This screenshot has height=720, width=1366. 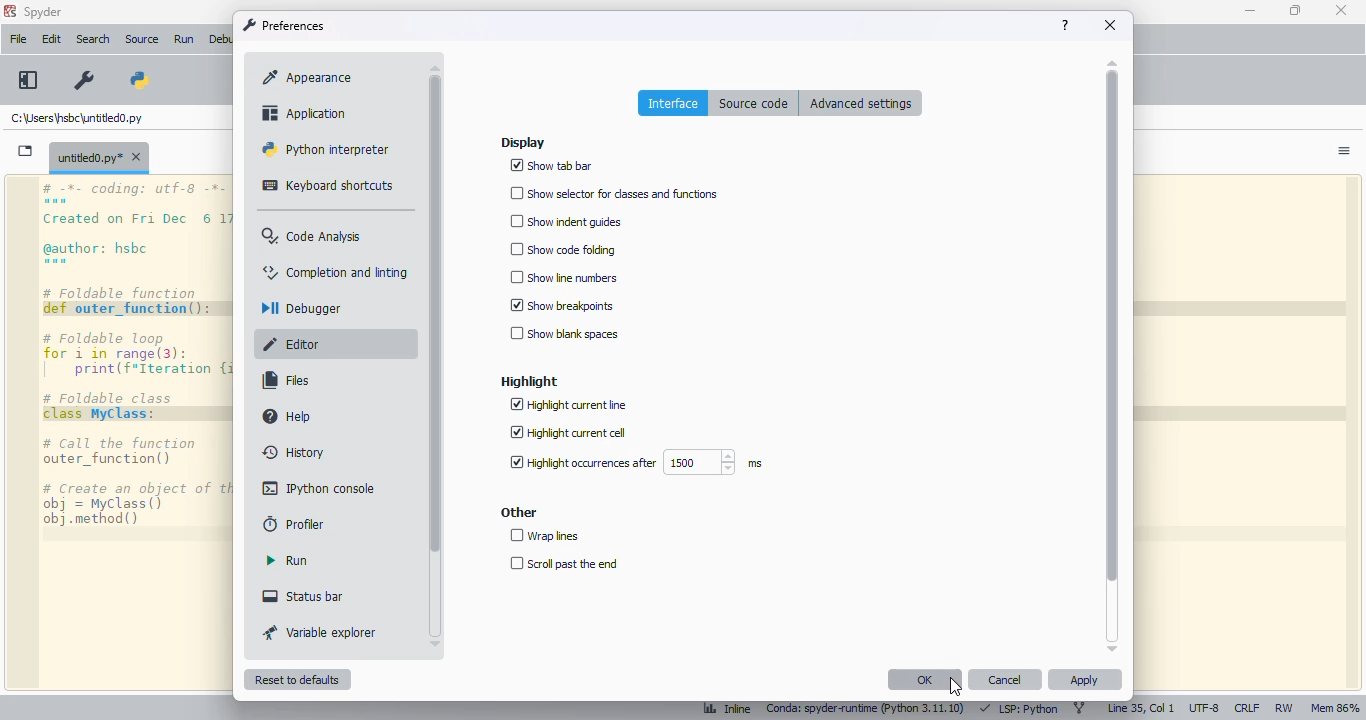 What do you see at coordinates (1284, 709) in the screenshot?
I see `RW` at bounding box center [1284, 709].